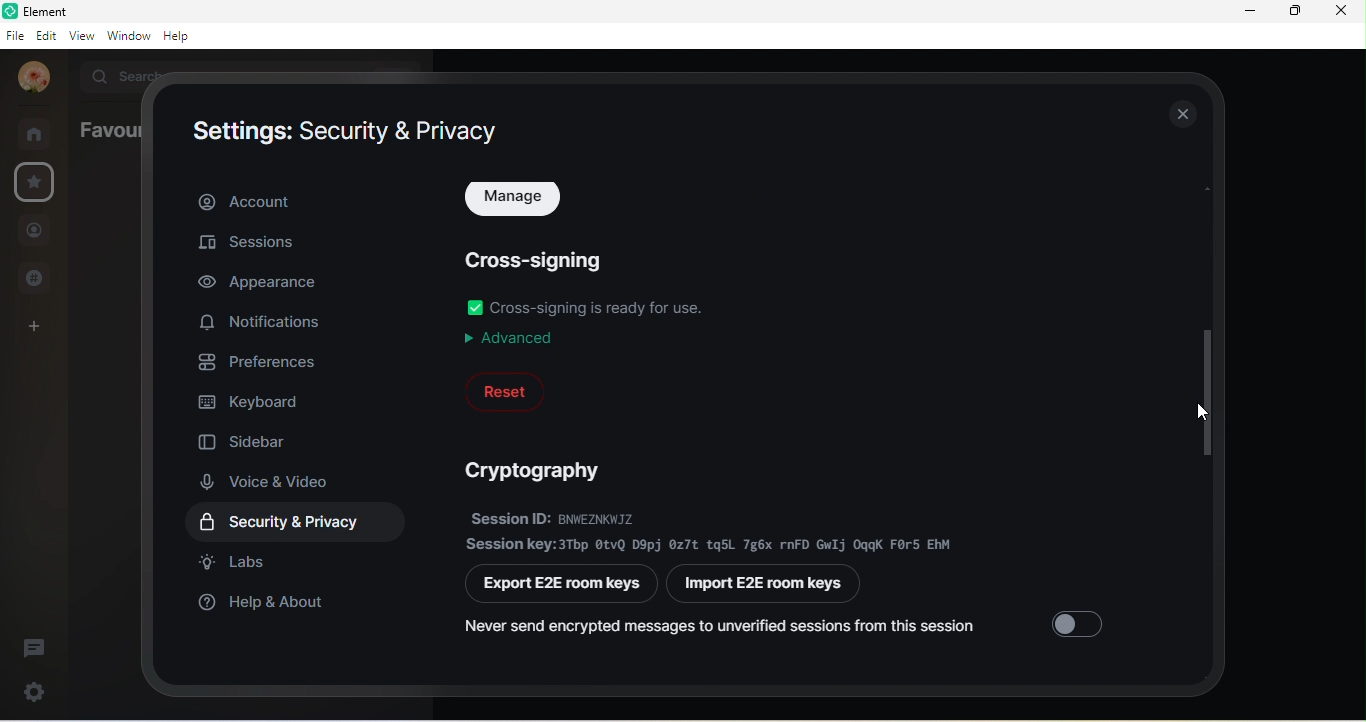 Image resolution: width=1366 pixels, height=722 pixels. I want to click on cursor movement, so click(1204, 416).